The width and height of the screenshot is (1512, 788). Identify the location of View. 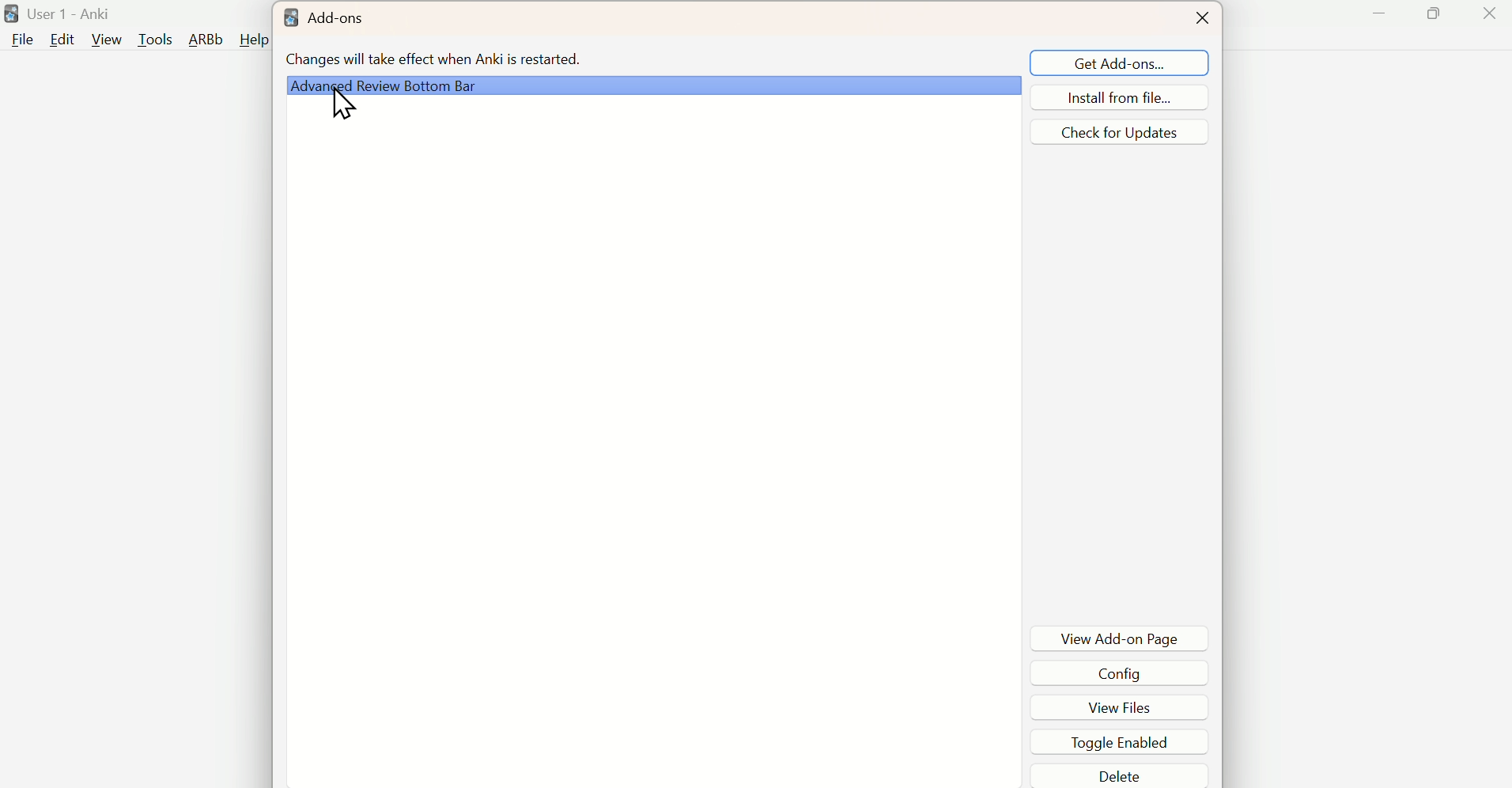
(104, 40).